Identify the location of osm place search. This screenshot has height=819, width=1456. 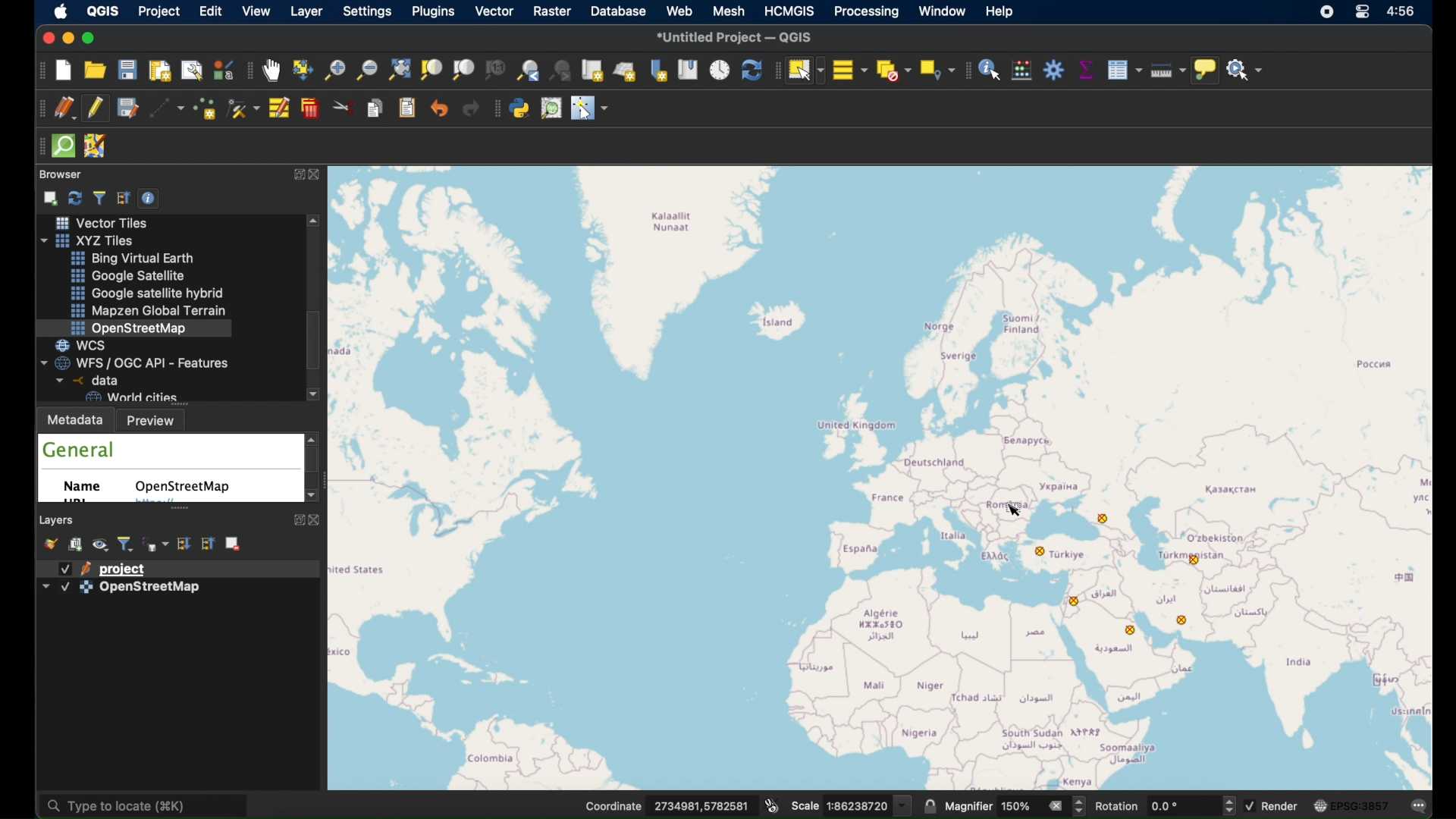
(553, 108).